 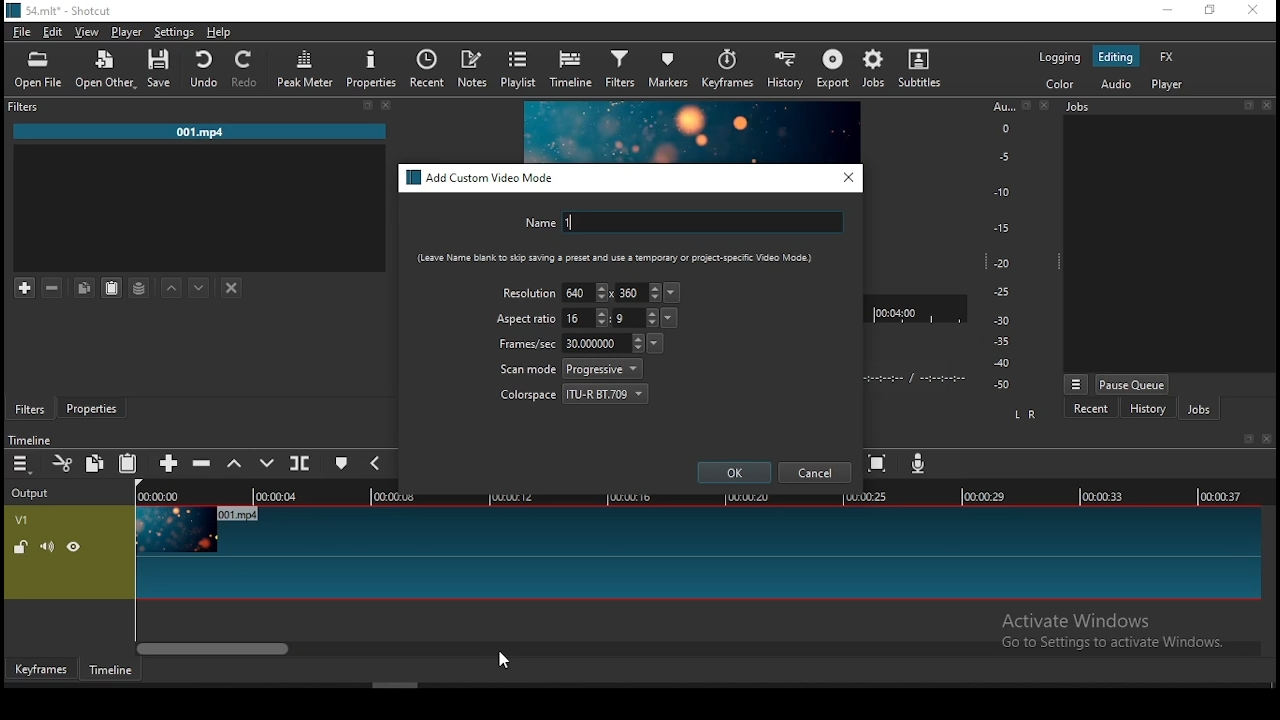 What do you see at coordinates (998, 342) in the screenshot?
I see `-35` at bounding box center [998, 342].